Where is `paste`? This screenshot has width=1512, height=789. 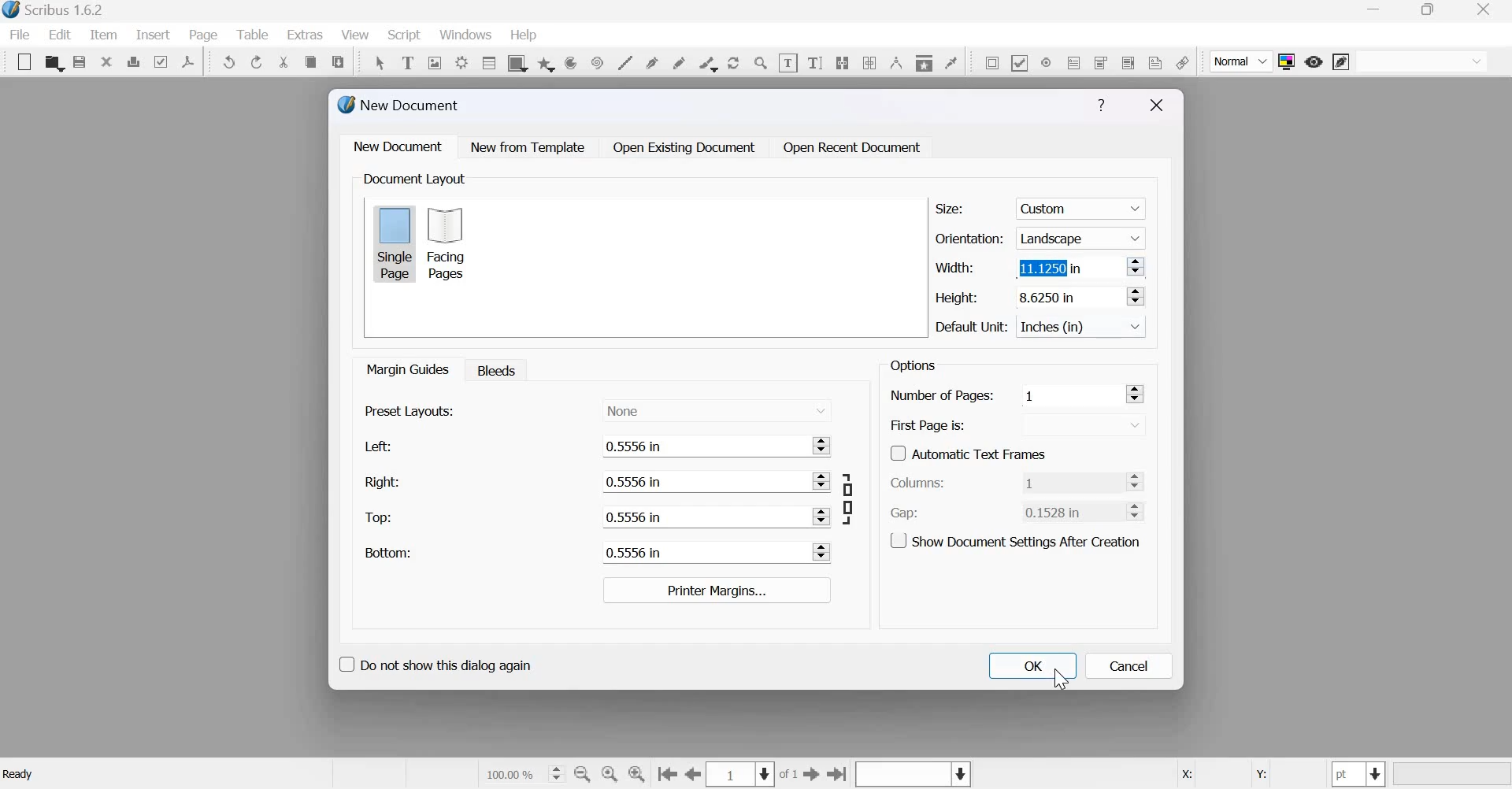 paste is located at coordinates (339, 60).